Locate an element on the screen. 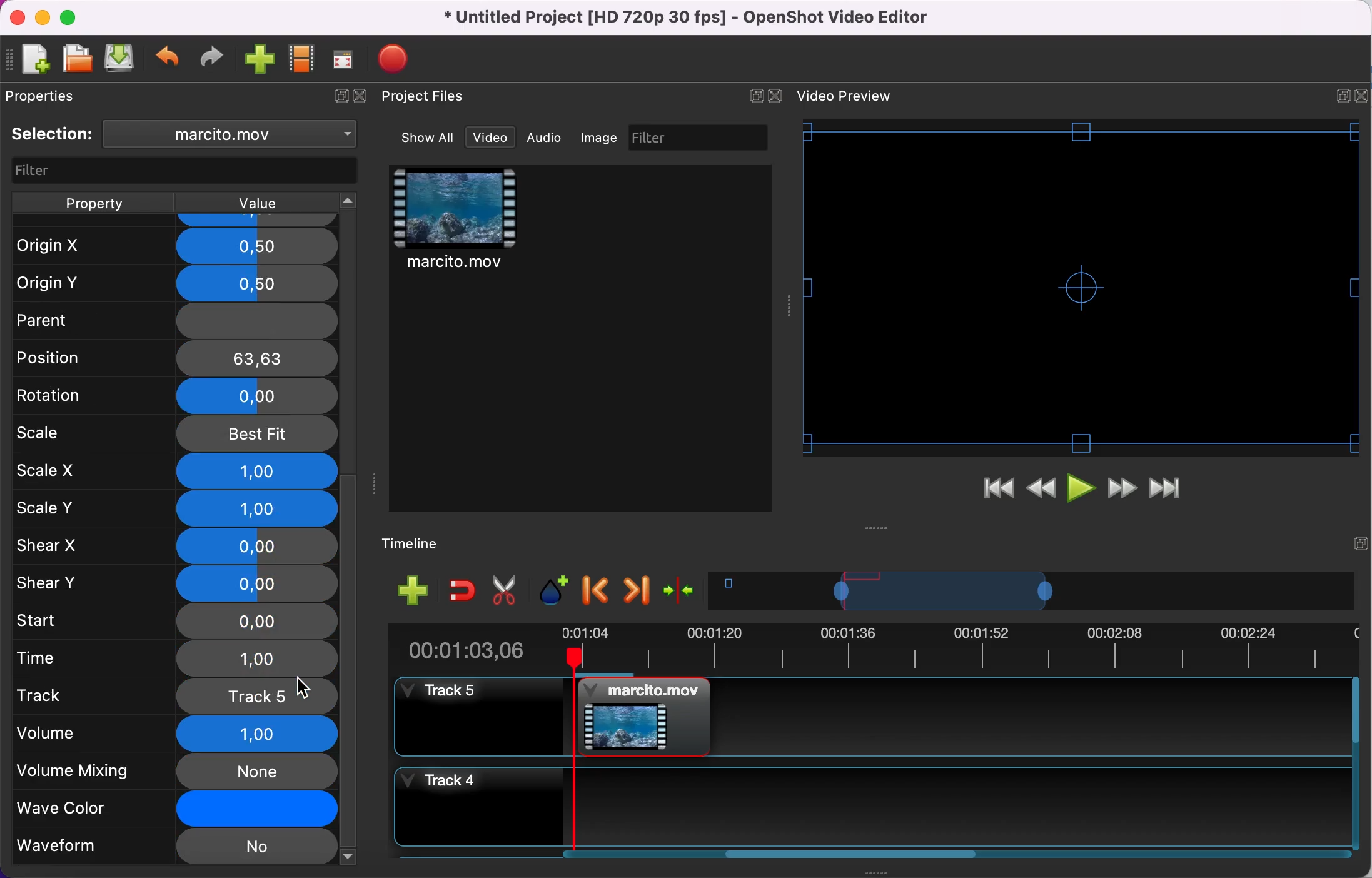  show all is located at coordinates (429, 138).